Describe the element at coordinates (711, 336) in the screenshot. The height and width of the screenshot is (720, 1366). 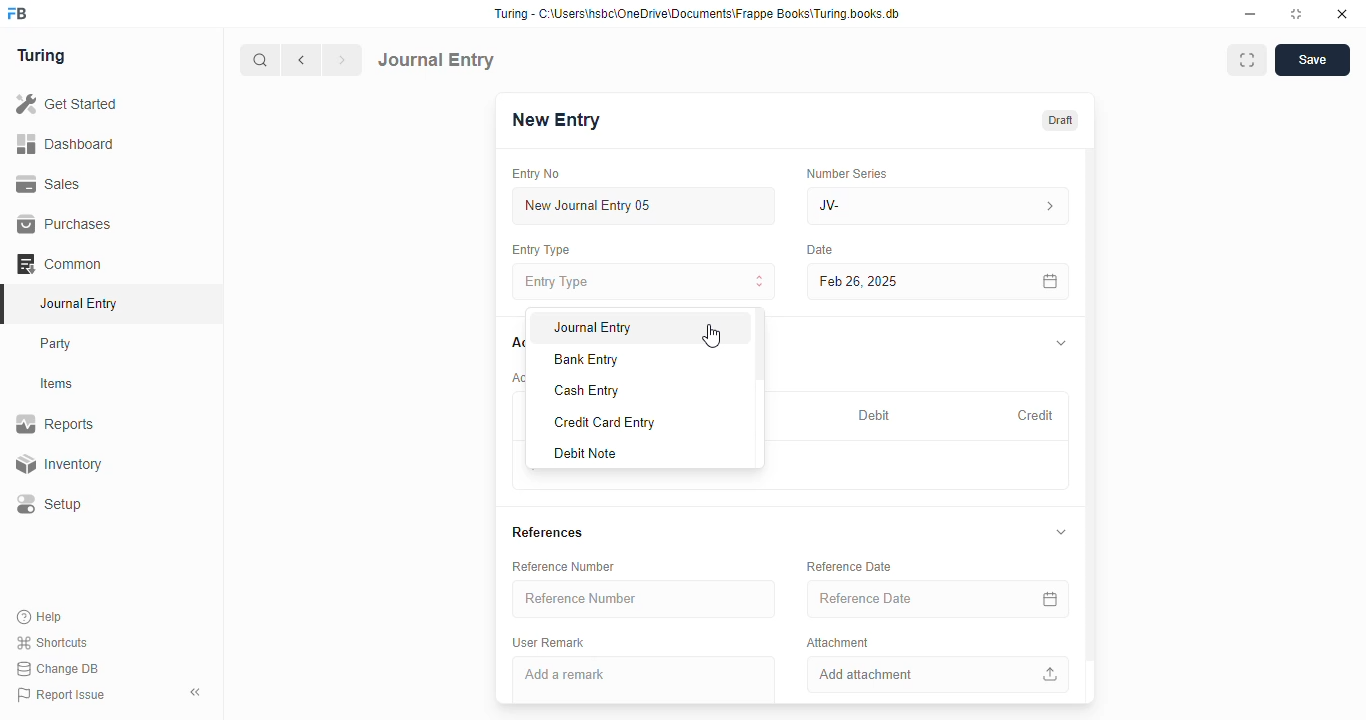
I see `cursor` at that location.